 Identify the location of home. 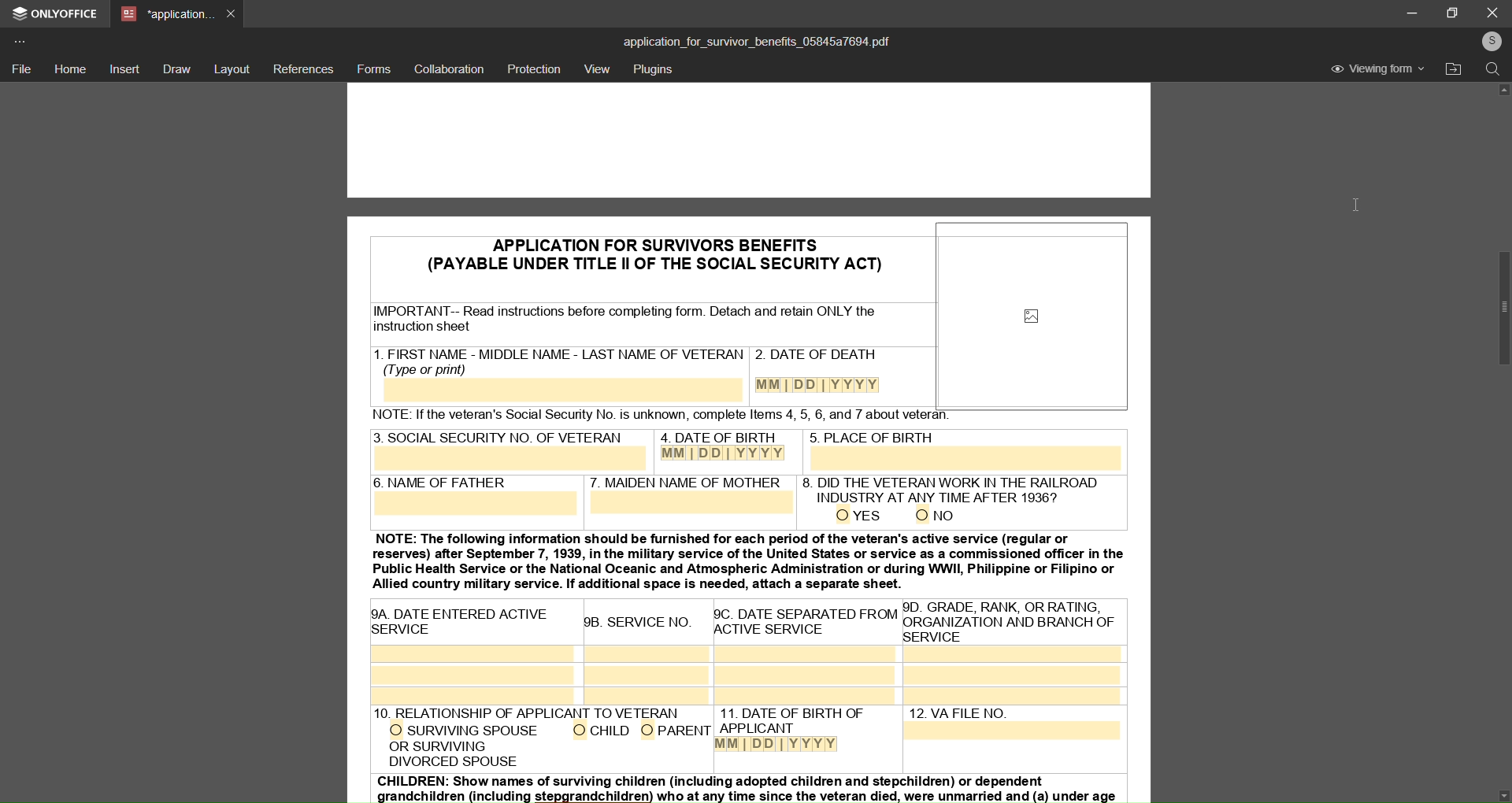
(71, 68).